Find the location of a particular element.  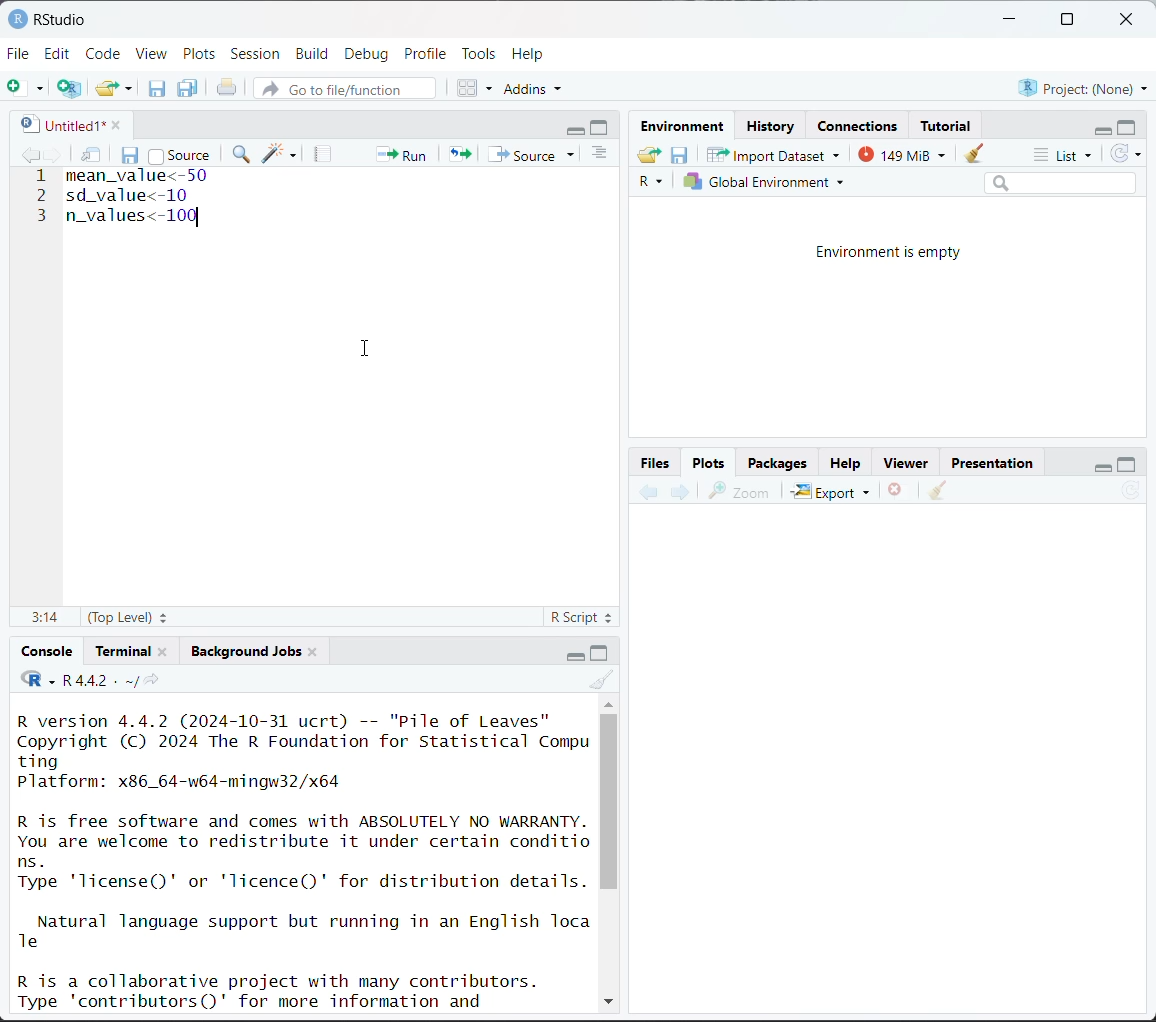

Environment is located at coordinates (686, 127).